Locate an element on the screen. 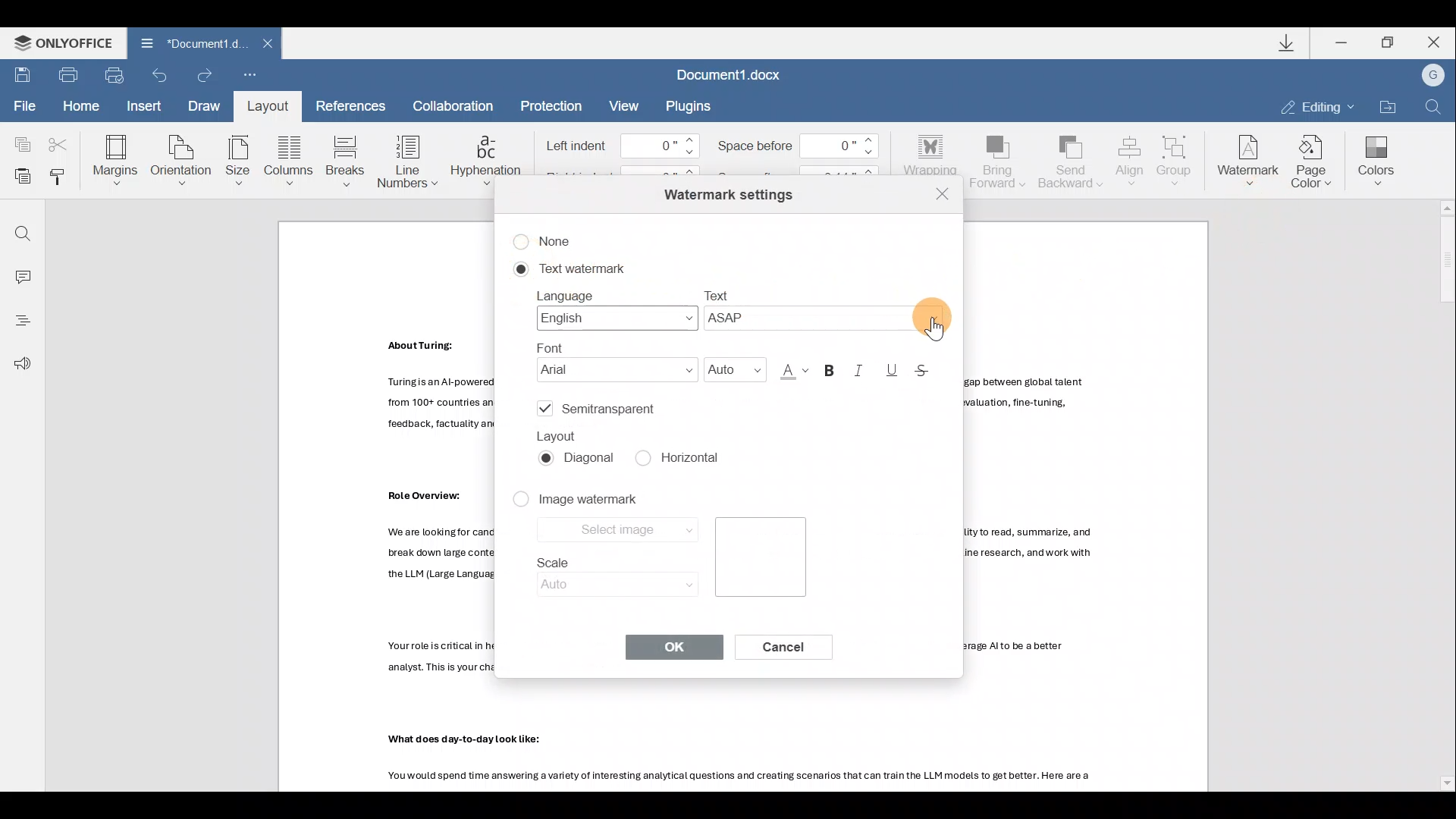  Margins is located at coordinates (118, 157).